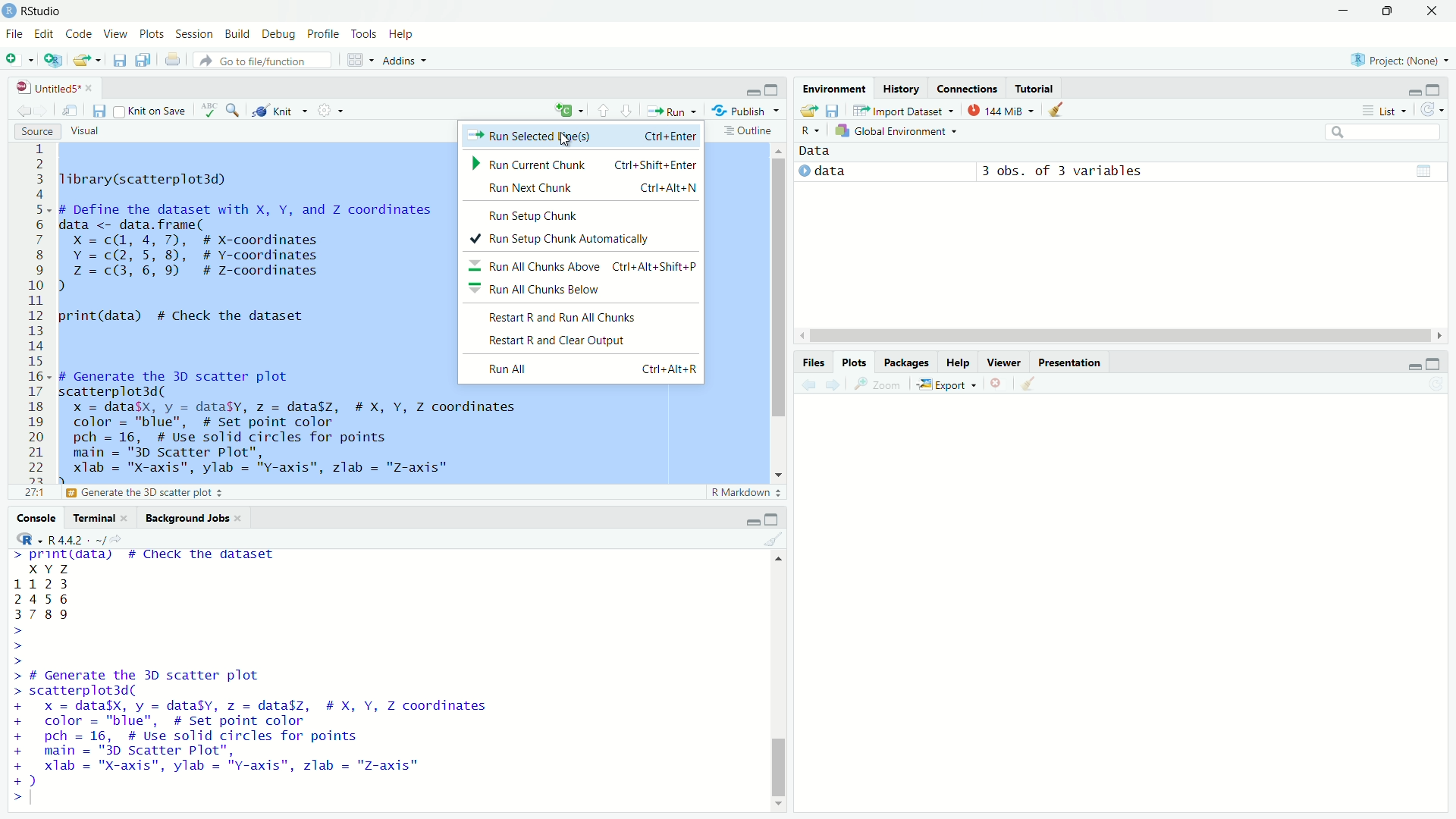 The image size is (1456, 819). Describe the element at coordinates (1385, 111) in the screenshot. I see `list` at that location.